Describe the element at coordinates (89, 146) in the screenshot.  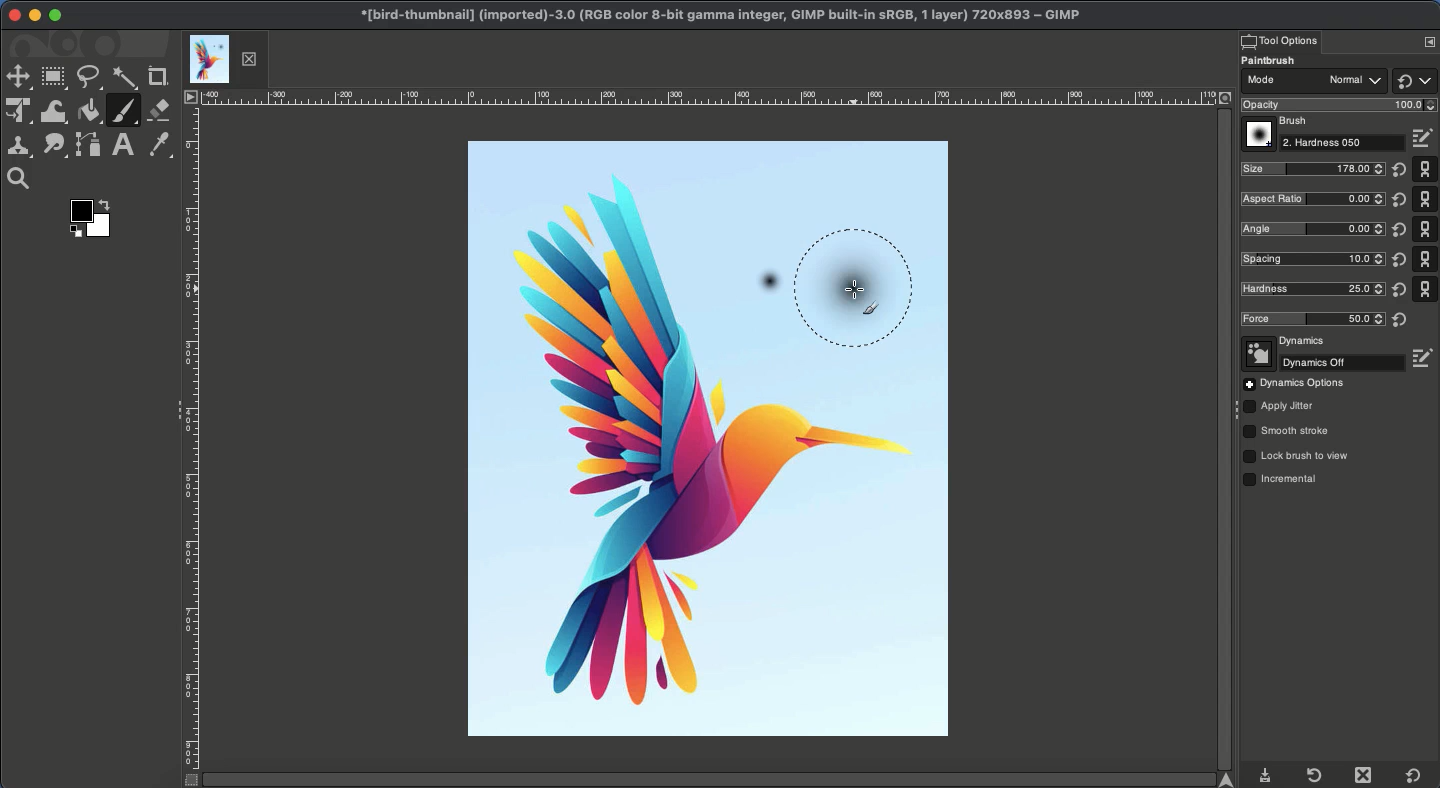
I see `Path` at that location.